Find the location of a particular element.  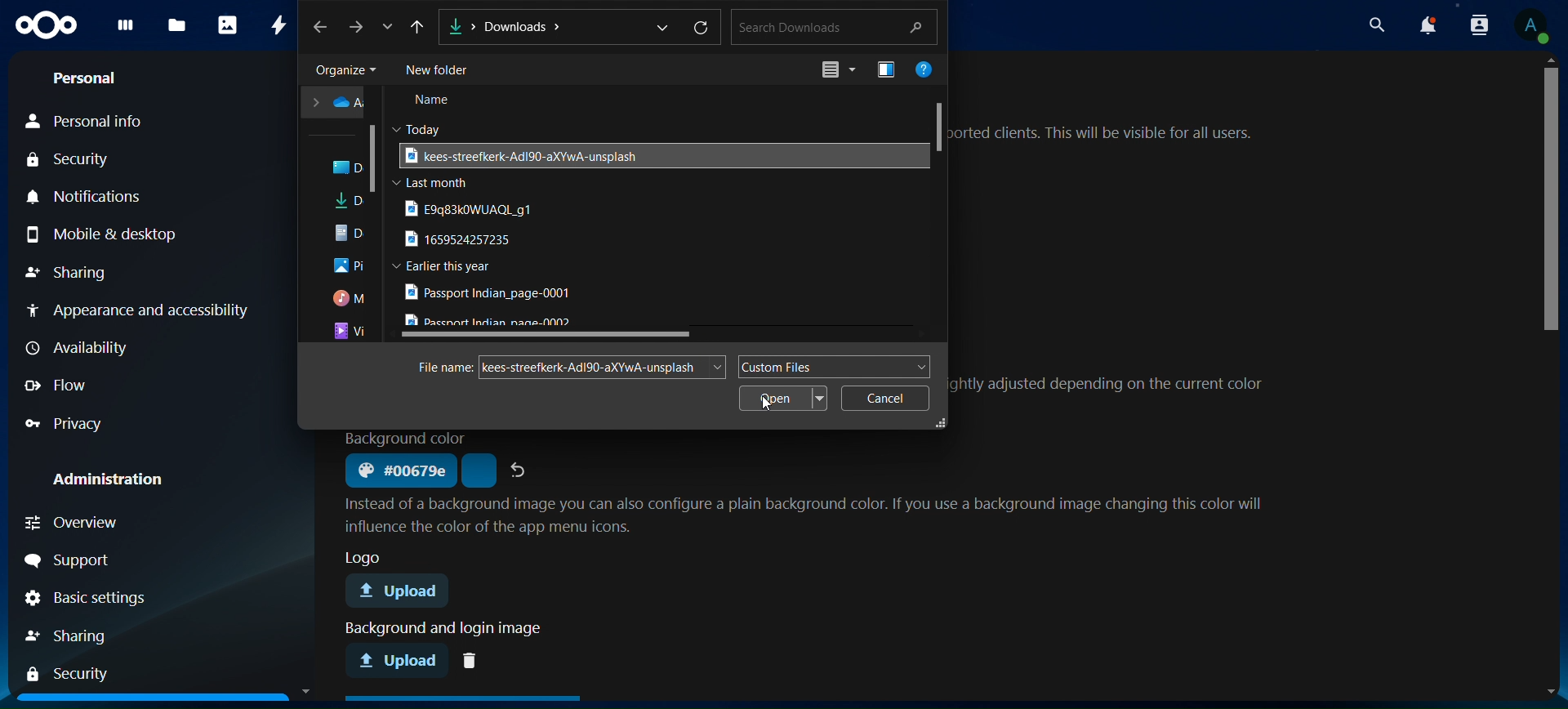

cursor is located at coordinates (767, 406).